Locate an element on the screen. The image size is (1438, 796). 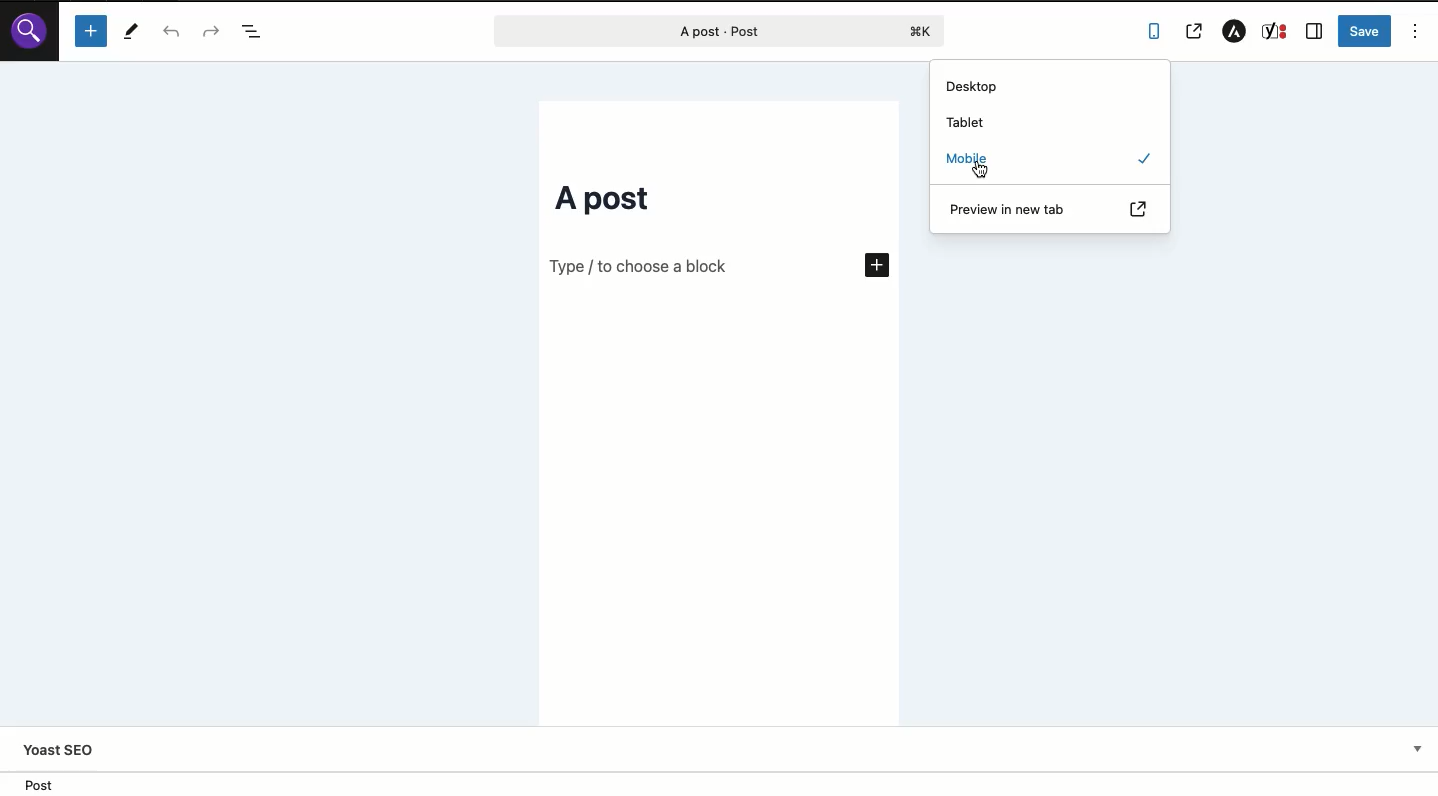
Mobile  is located at coordinates (969, 160).